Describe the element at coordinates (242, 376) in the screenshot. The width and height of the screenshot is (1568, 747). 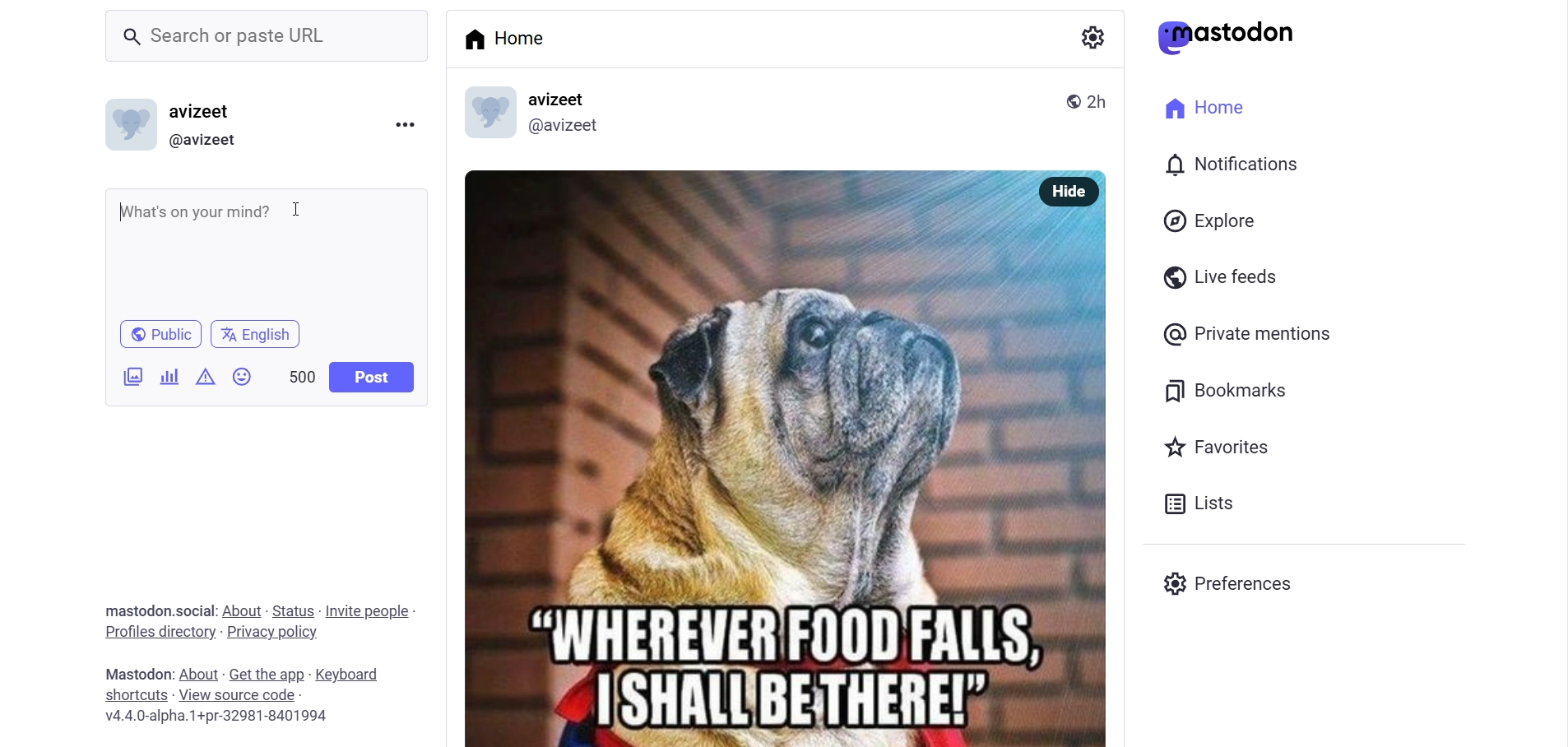
I see `emoji` at that location.